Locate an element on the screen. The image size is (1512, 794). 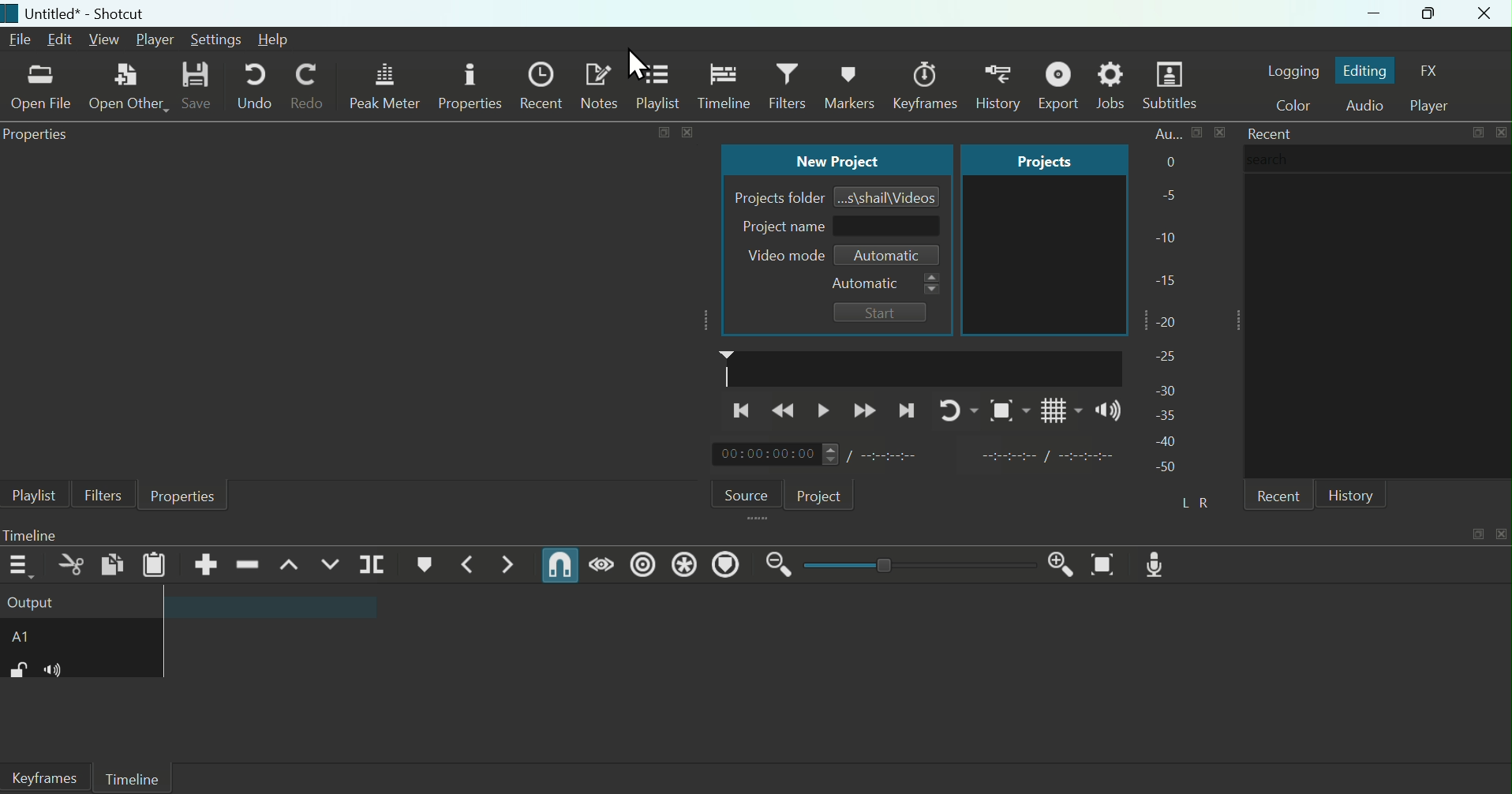
-15 is located at coordinates (1168, 276).